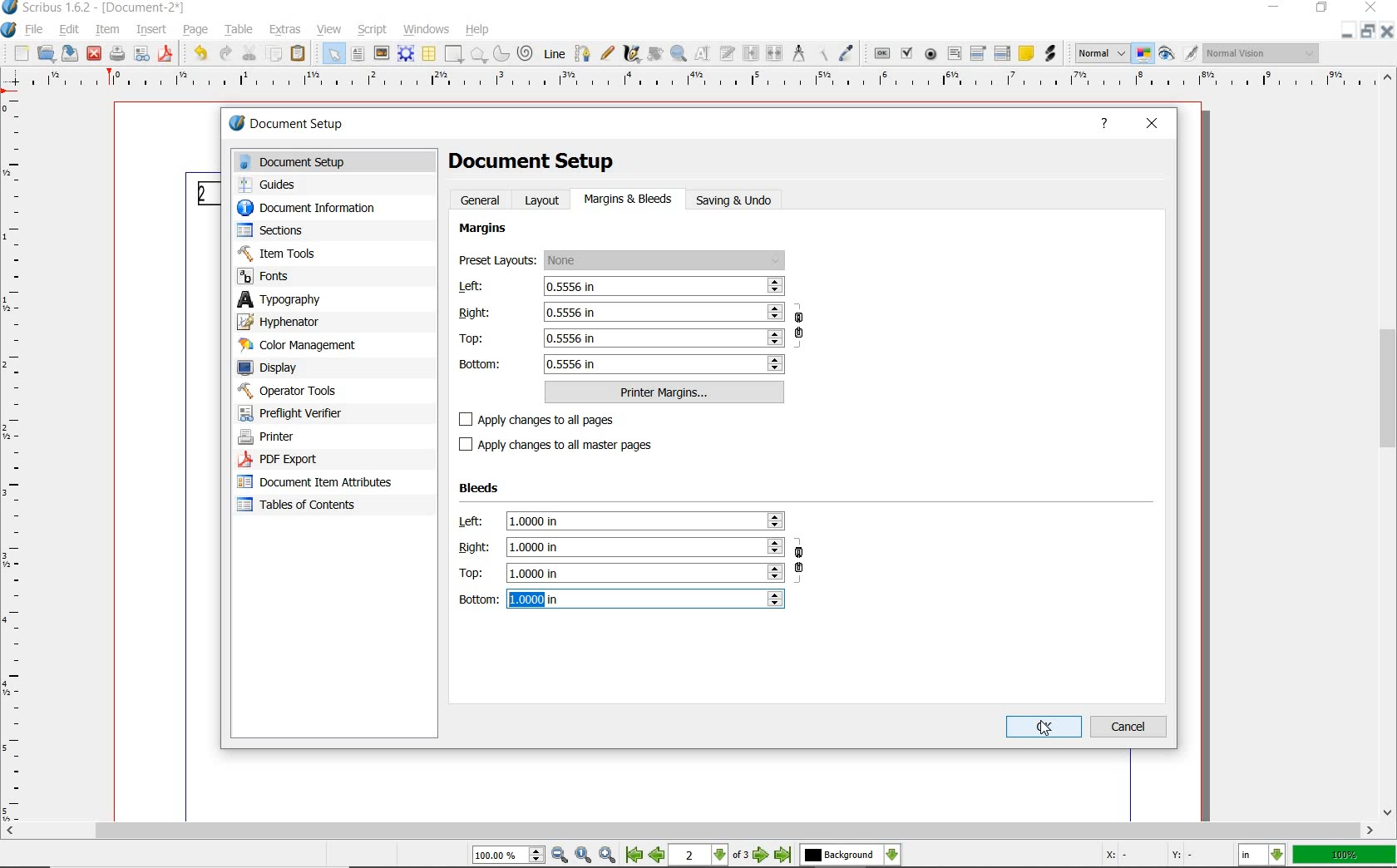  I want to click on pdf combo box, so click(979, 55).